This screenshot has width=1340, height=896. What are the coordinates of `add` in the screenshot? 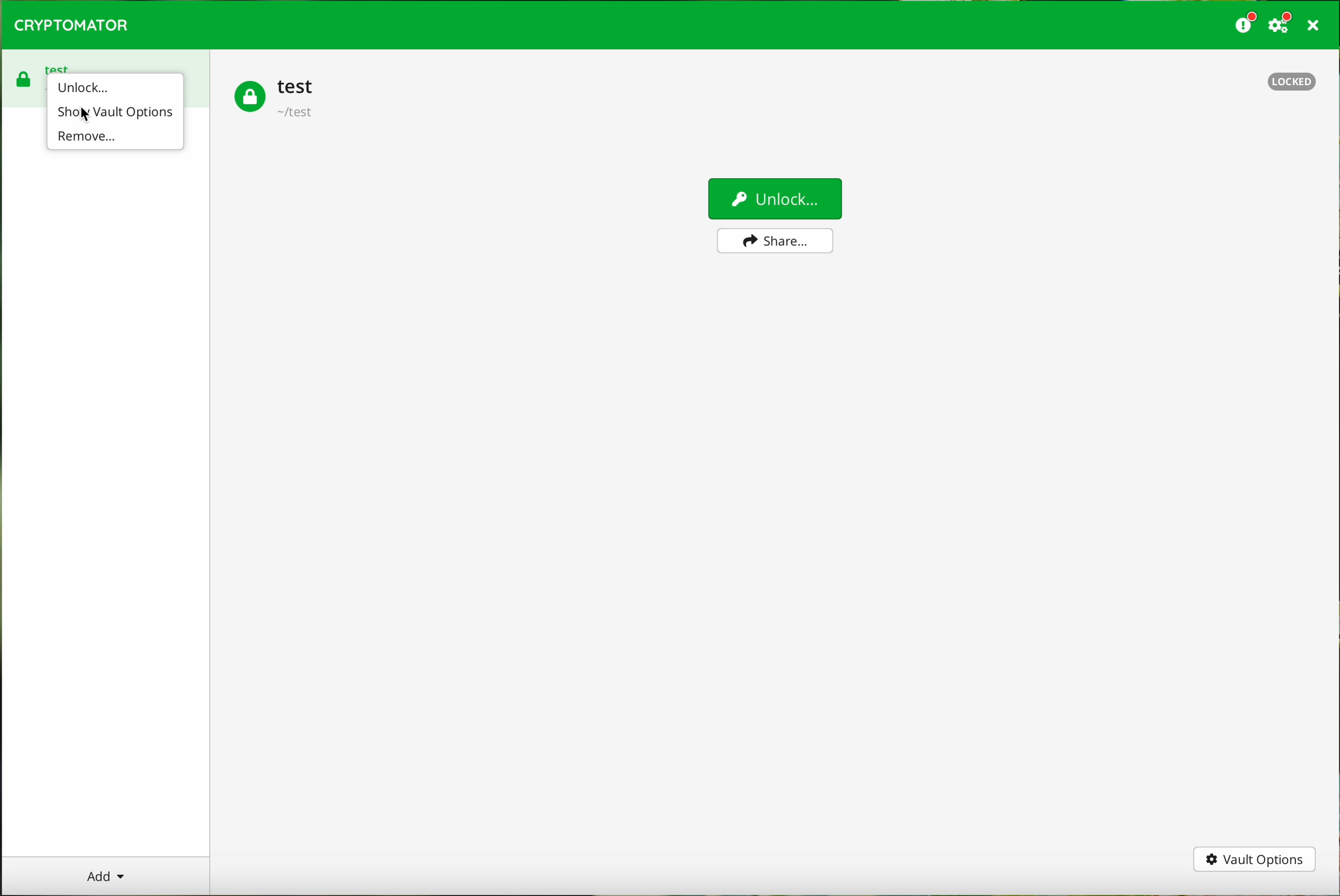 It's located at (106, 875).